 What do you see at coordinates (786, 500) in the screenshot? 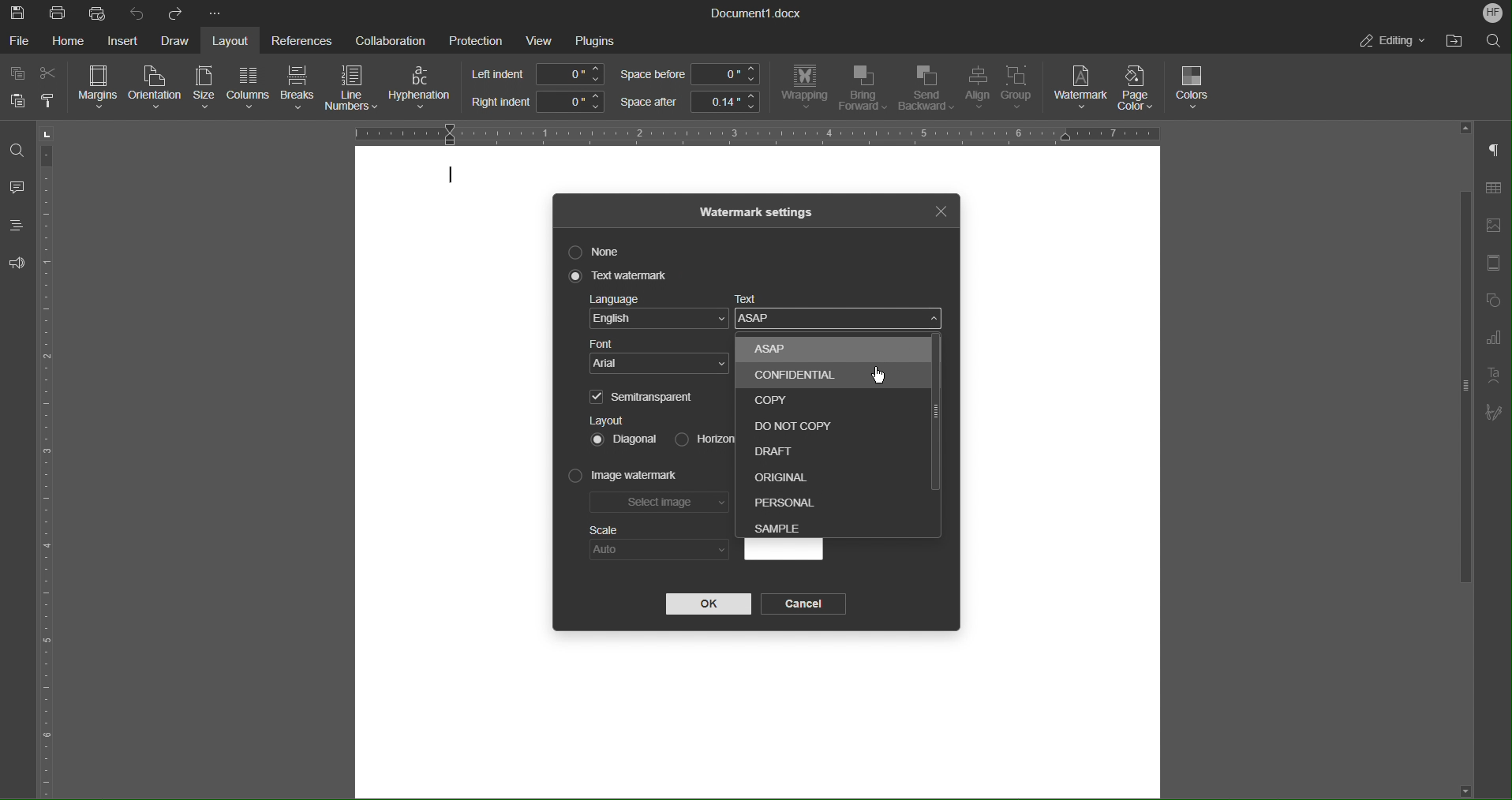
I see `Personal` at bounding box center [786, 500].